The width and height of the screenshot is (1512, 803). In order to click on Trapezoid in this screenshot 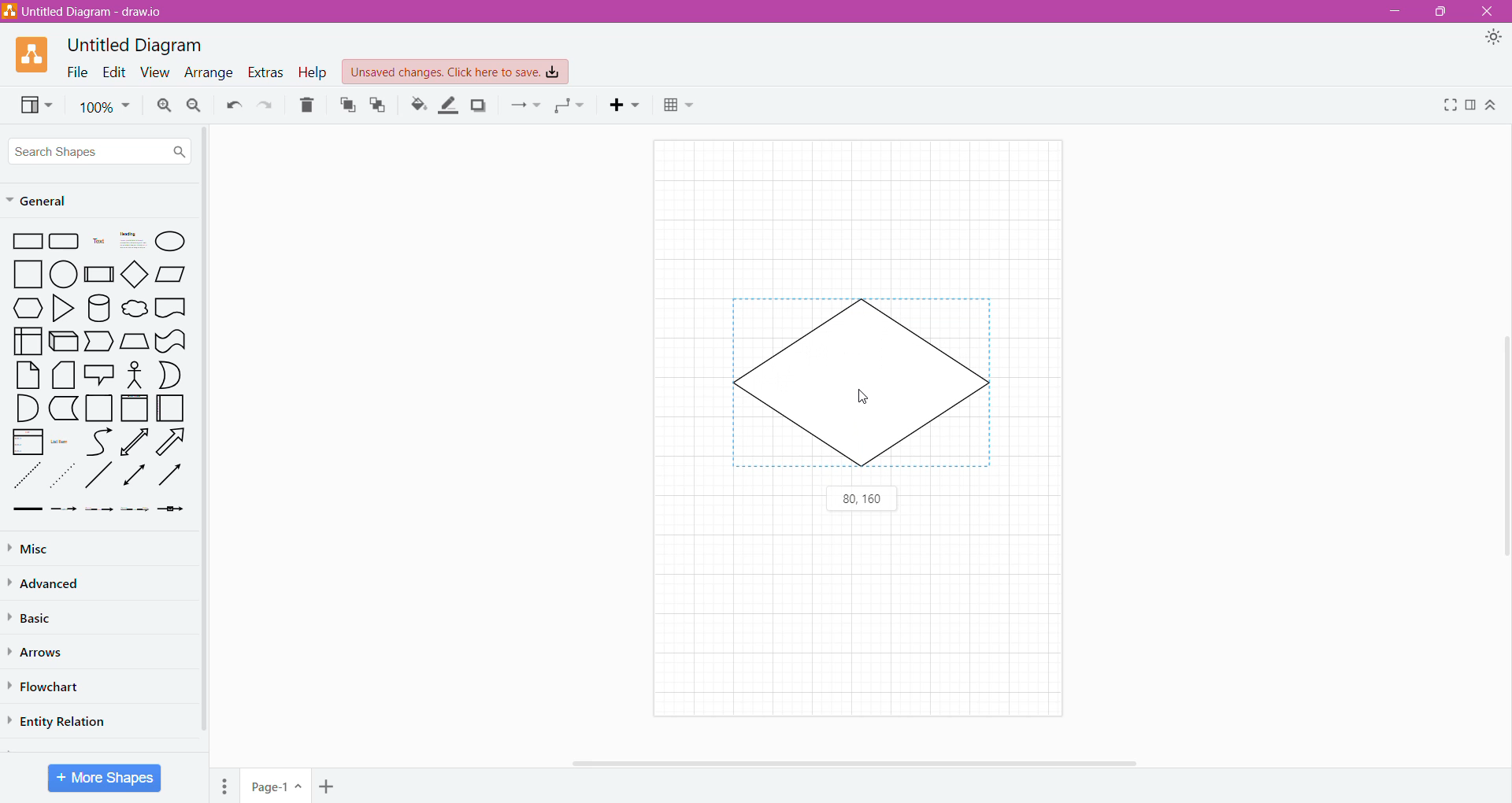, I will do `click(134, 342)`.